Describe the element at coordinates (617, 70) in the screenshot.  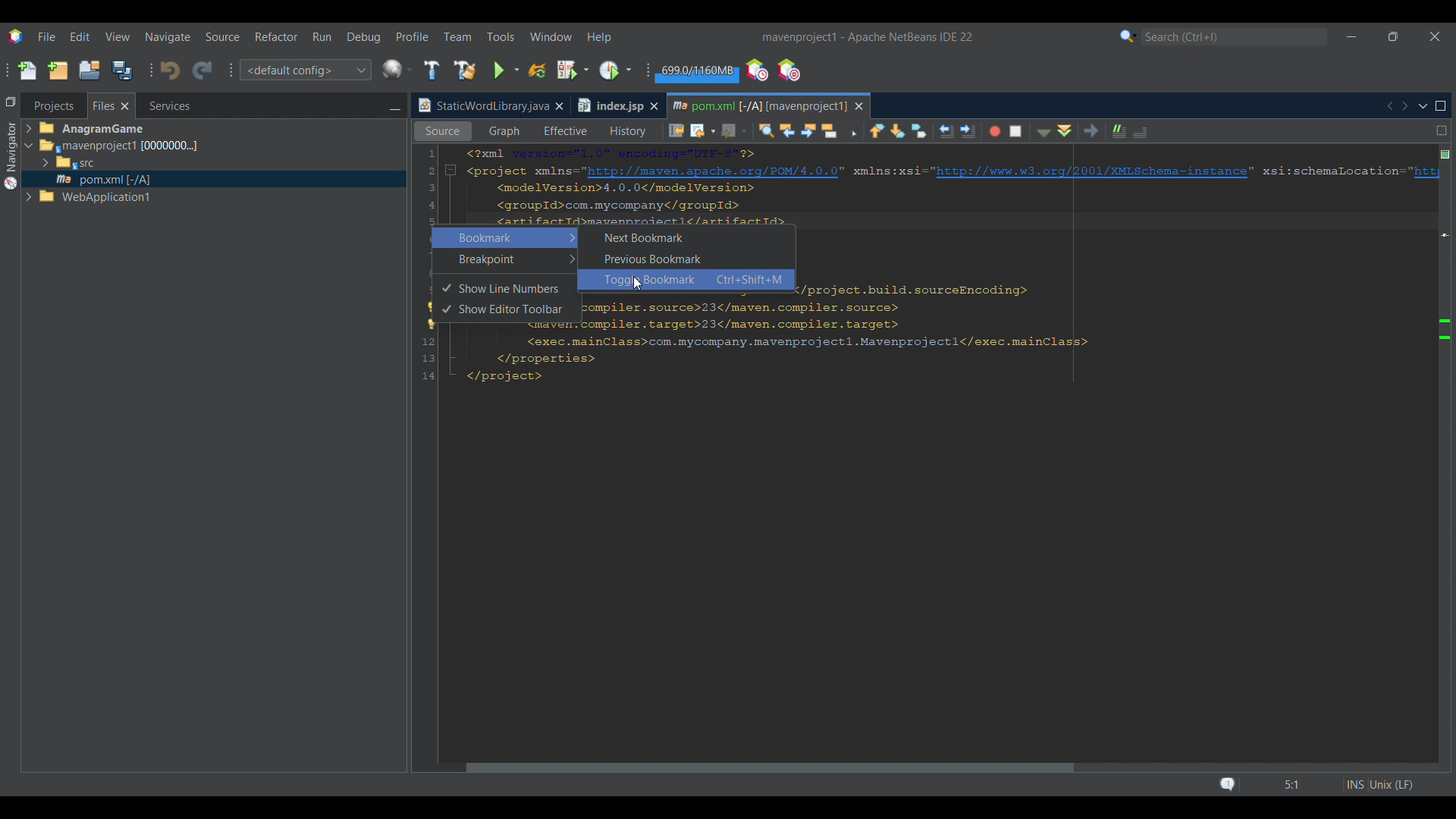
I see `Profile main project options` at that location.